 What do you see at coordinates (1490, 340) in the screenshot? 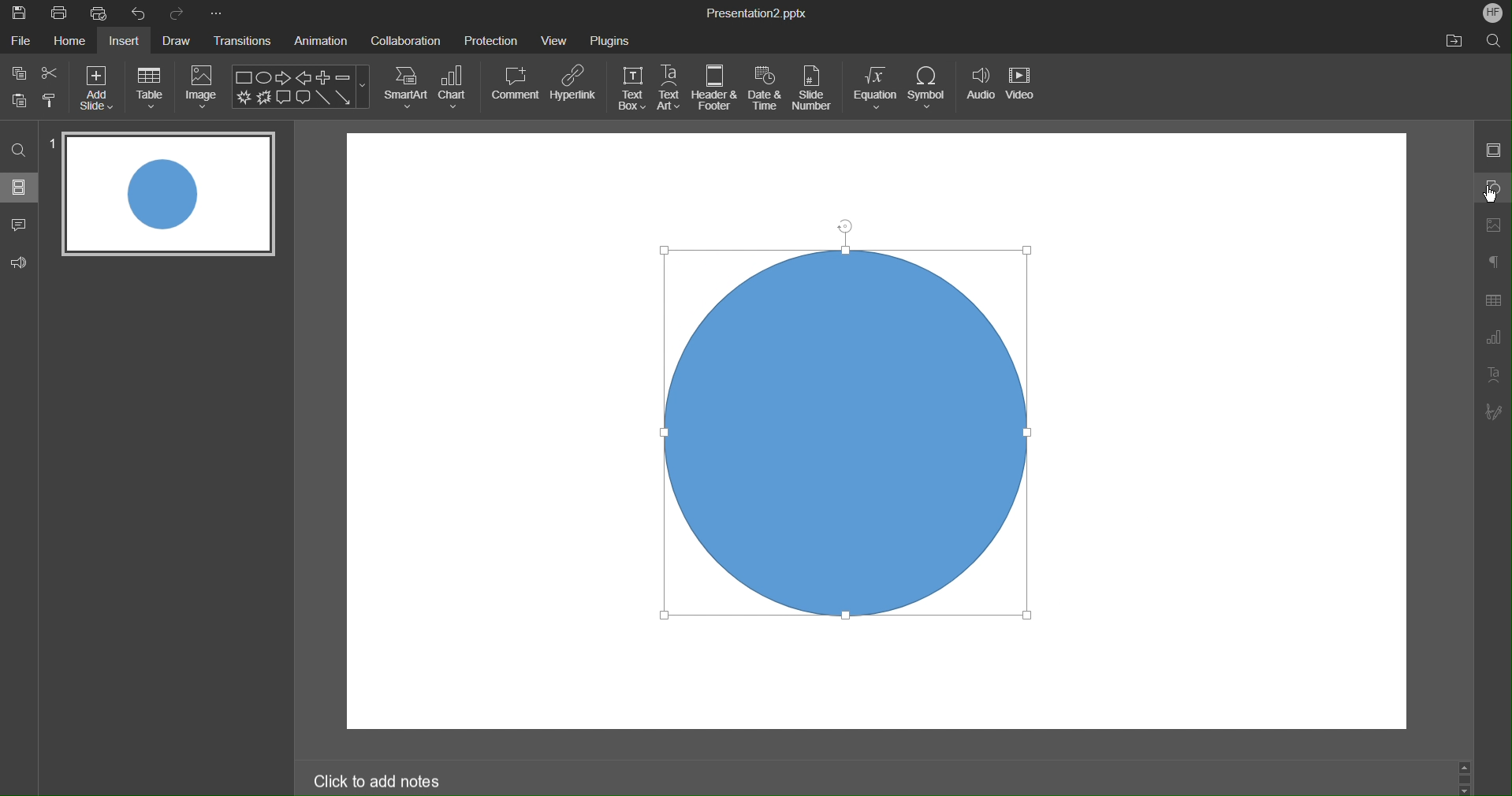
I see `Graph Settings` at bounding box center [1490, 340].